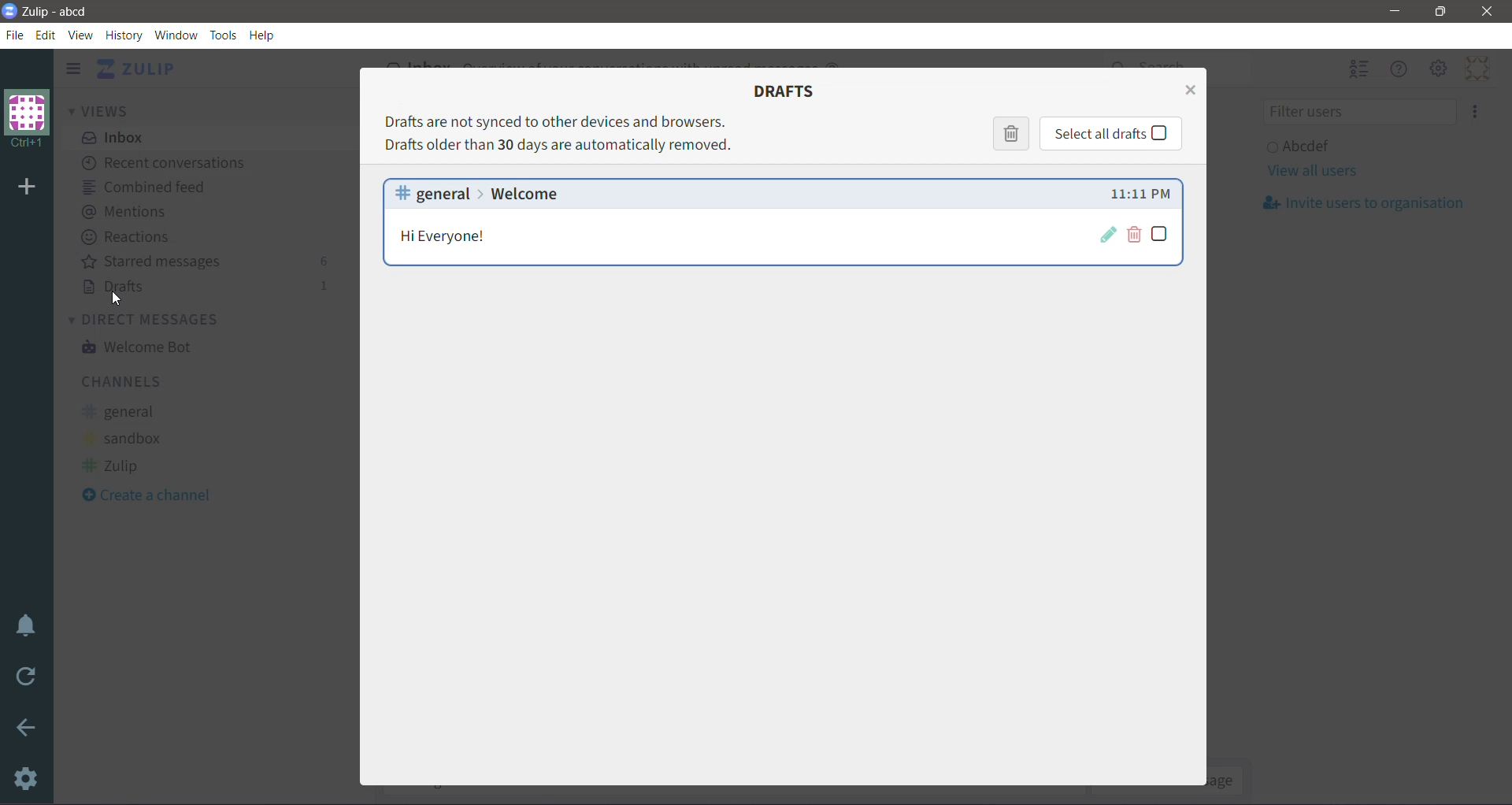 This screenshot has width=1512, height=805. I want to click on Main Menu, so click(1439, 69).